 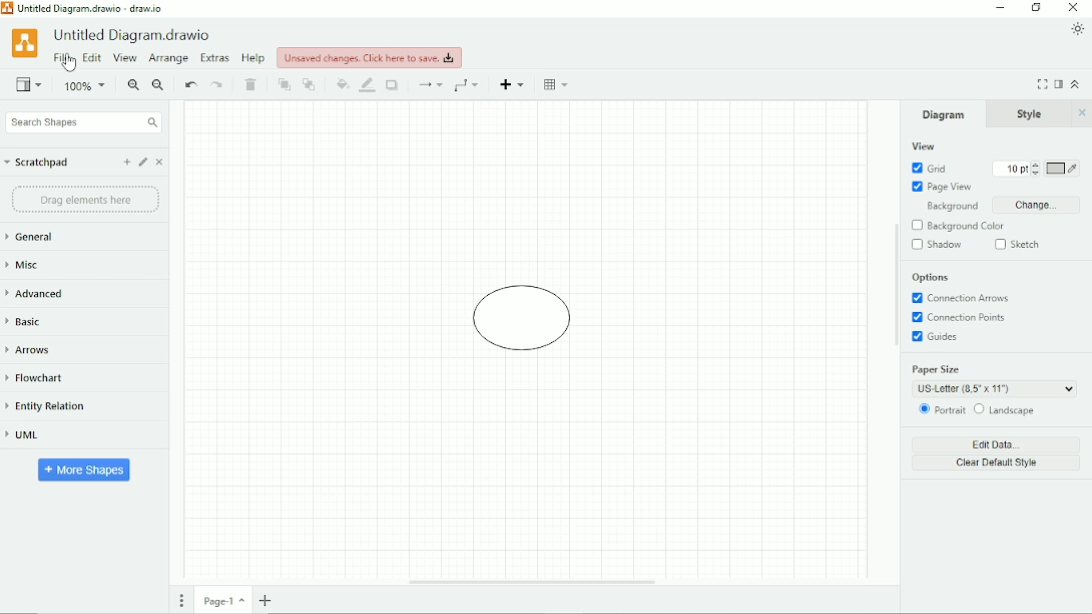 What do you see at coordinates (31, 237) in the screenshot?
I see `General` at bounding box center [31, 237].